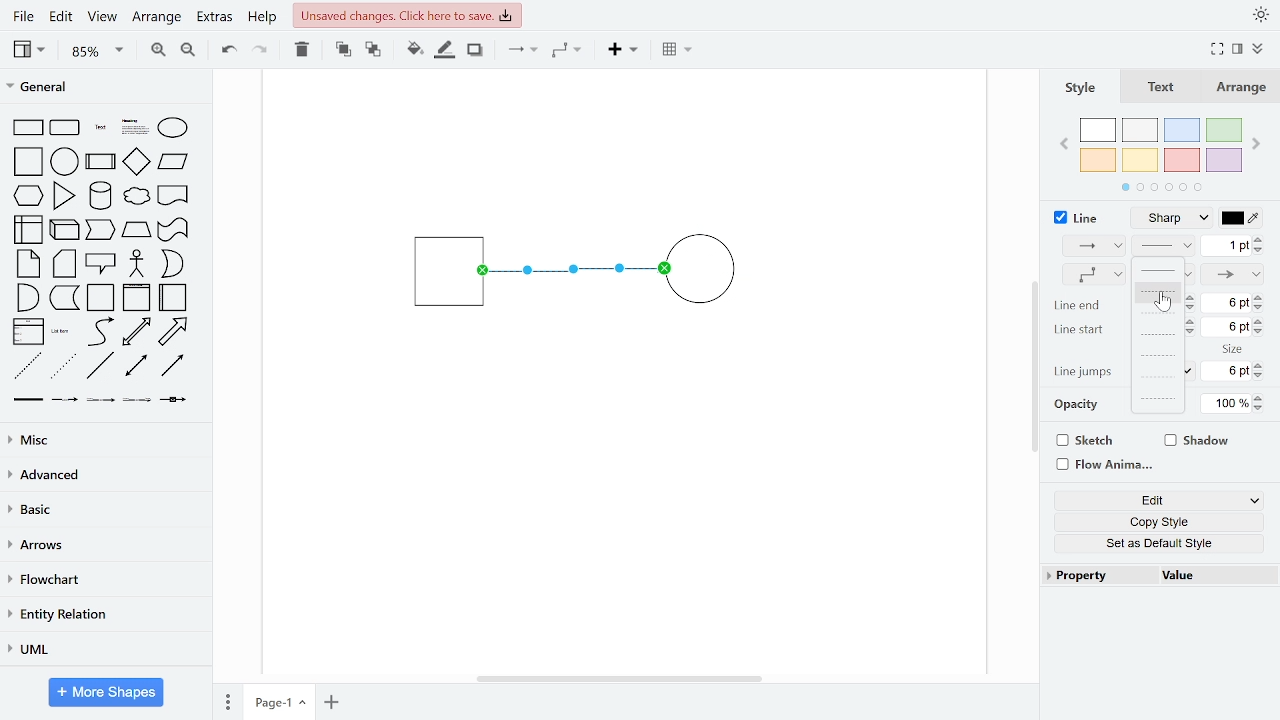  What do you see at coordinates (1159, 355) in the screenshot?
I see `dotted 1` at bounding box center [1159, 355].